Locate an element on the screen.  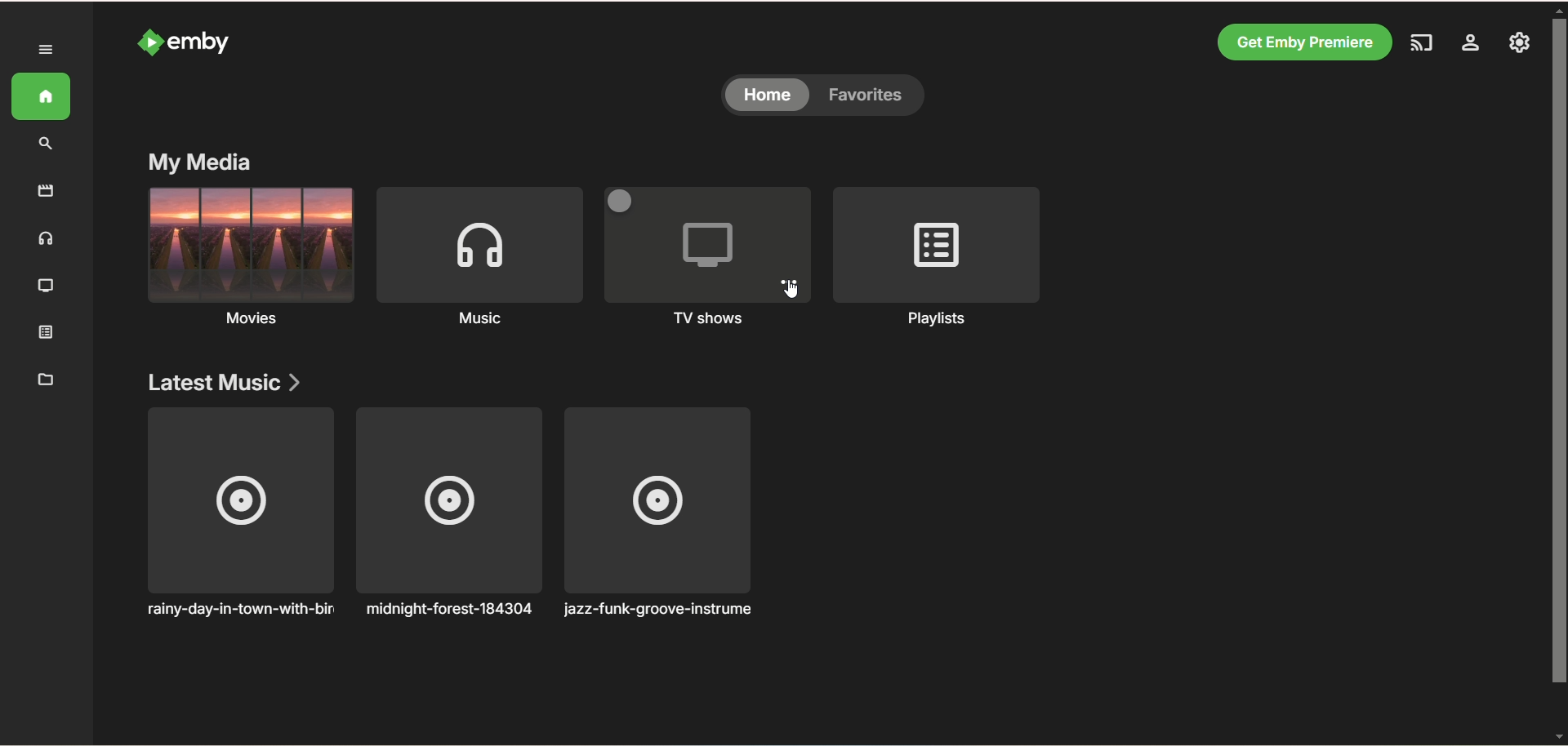
playlists is located at coordinates (940, 260).